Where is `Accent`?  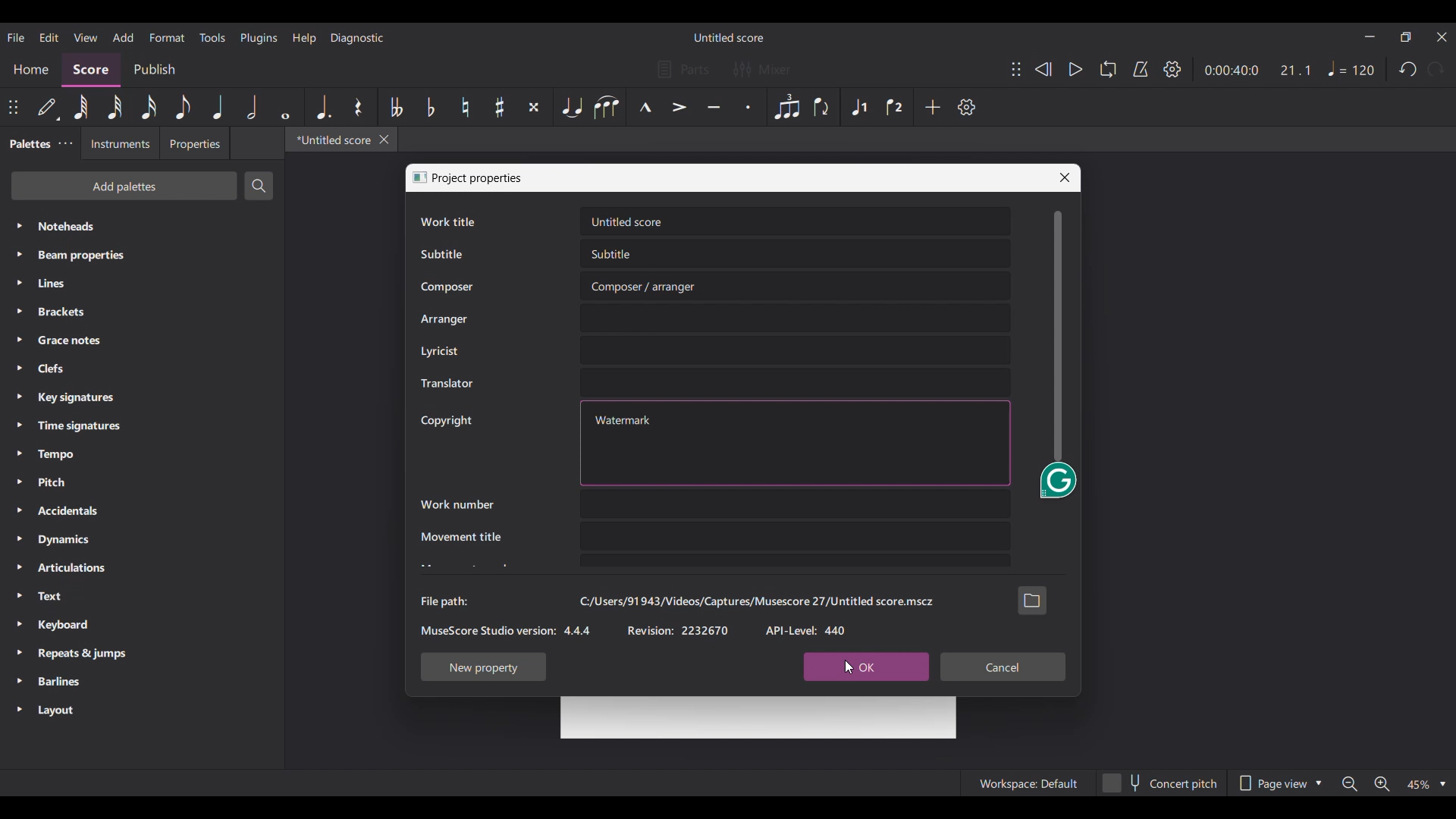
Accent is located at coordinates (679, 107).